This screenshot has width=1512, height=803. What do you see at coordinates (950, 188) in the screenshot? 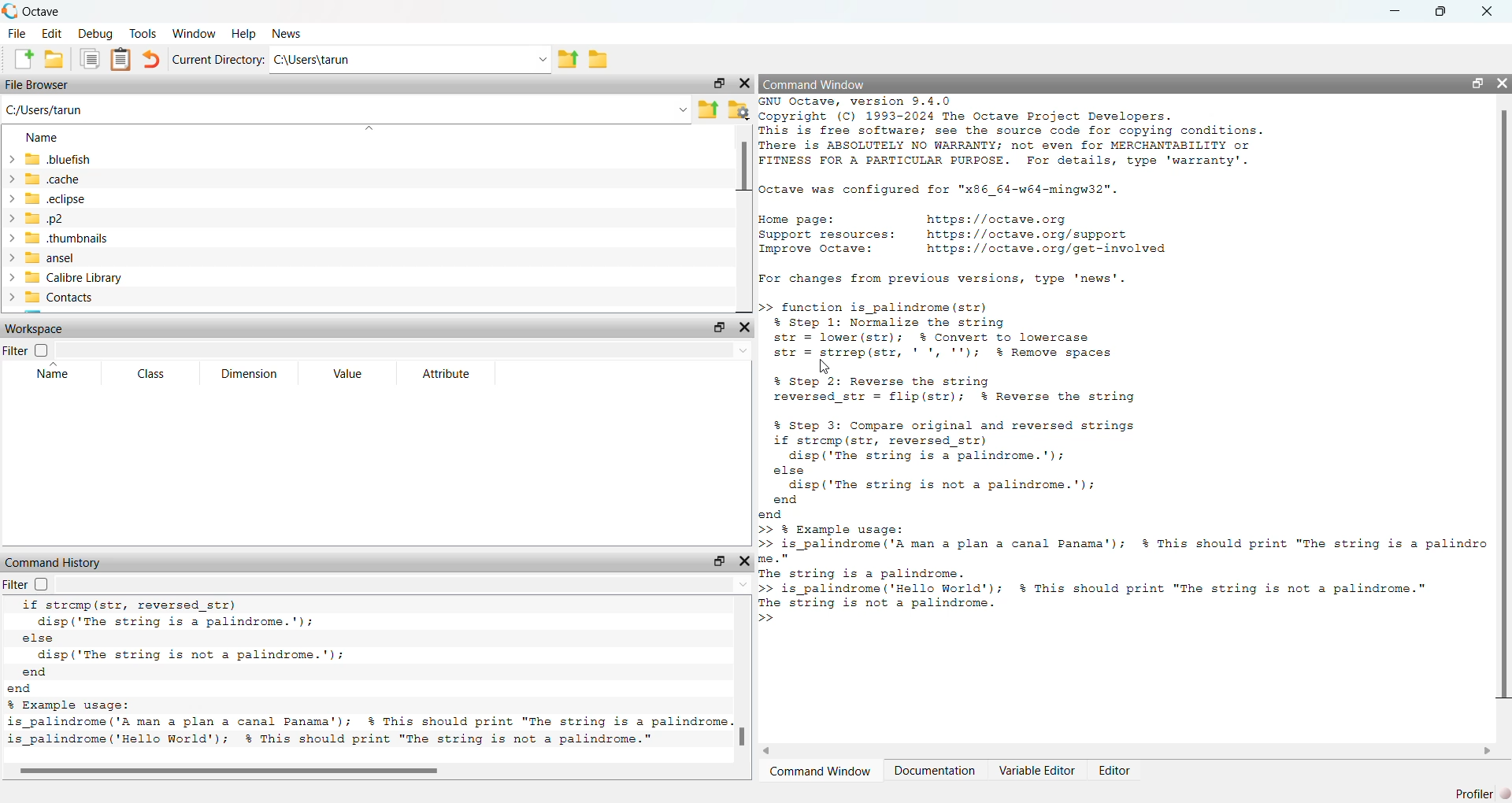
I see `octave configuration` at bounding box center [950, 188].